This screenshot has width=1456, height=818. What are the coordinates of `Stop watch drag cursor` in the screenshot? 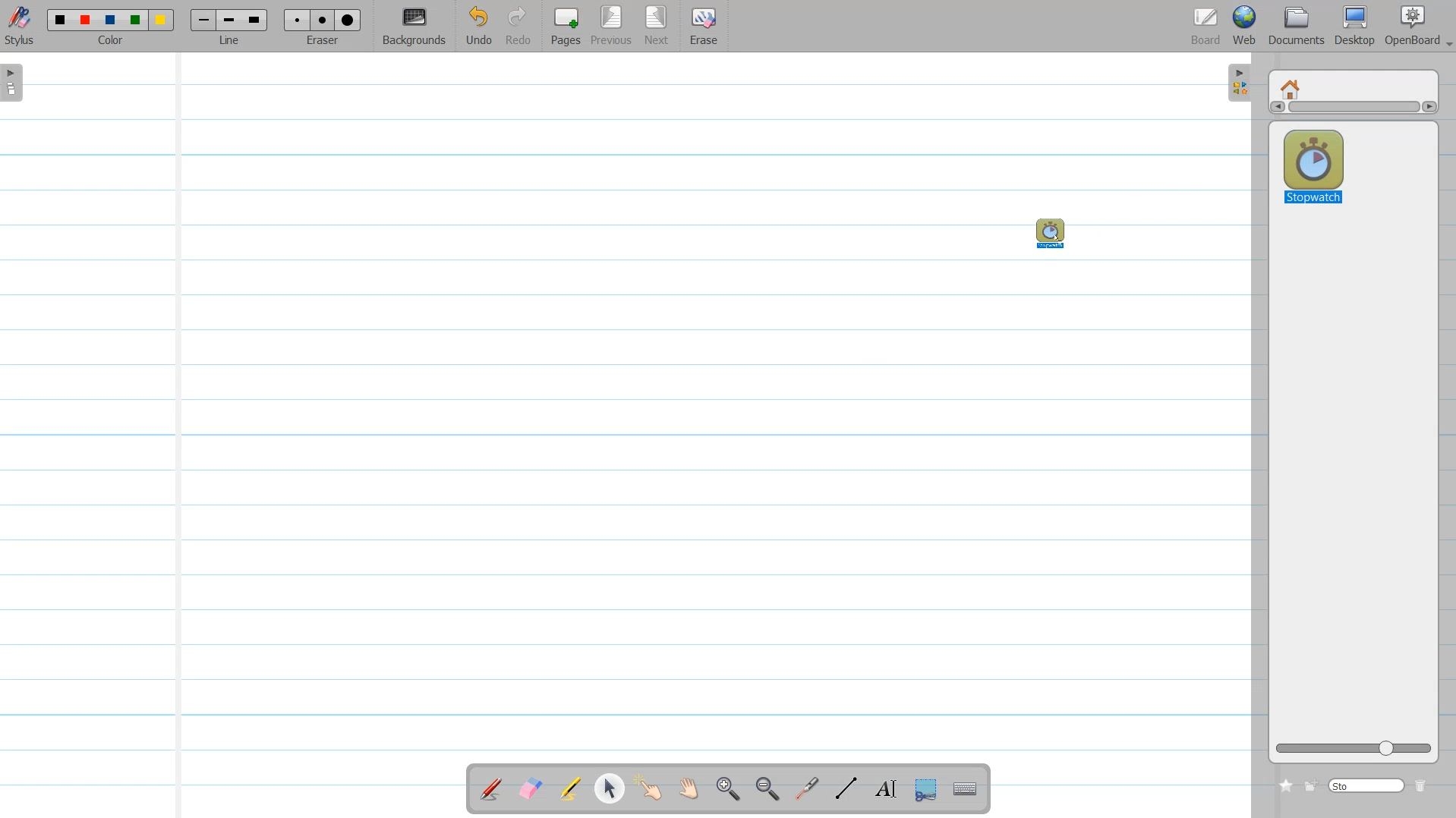 It's located at (1049, 233).